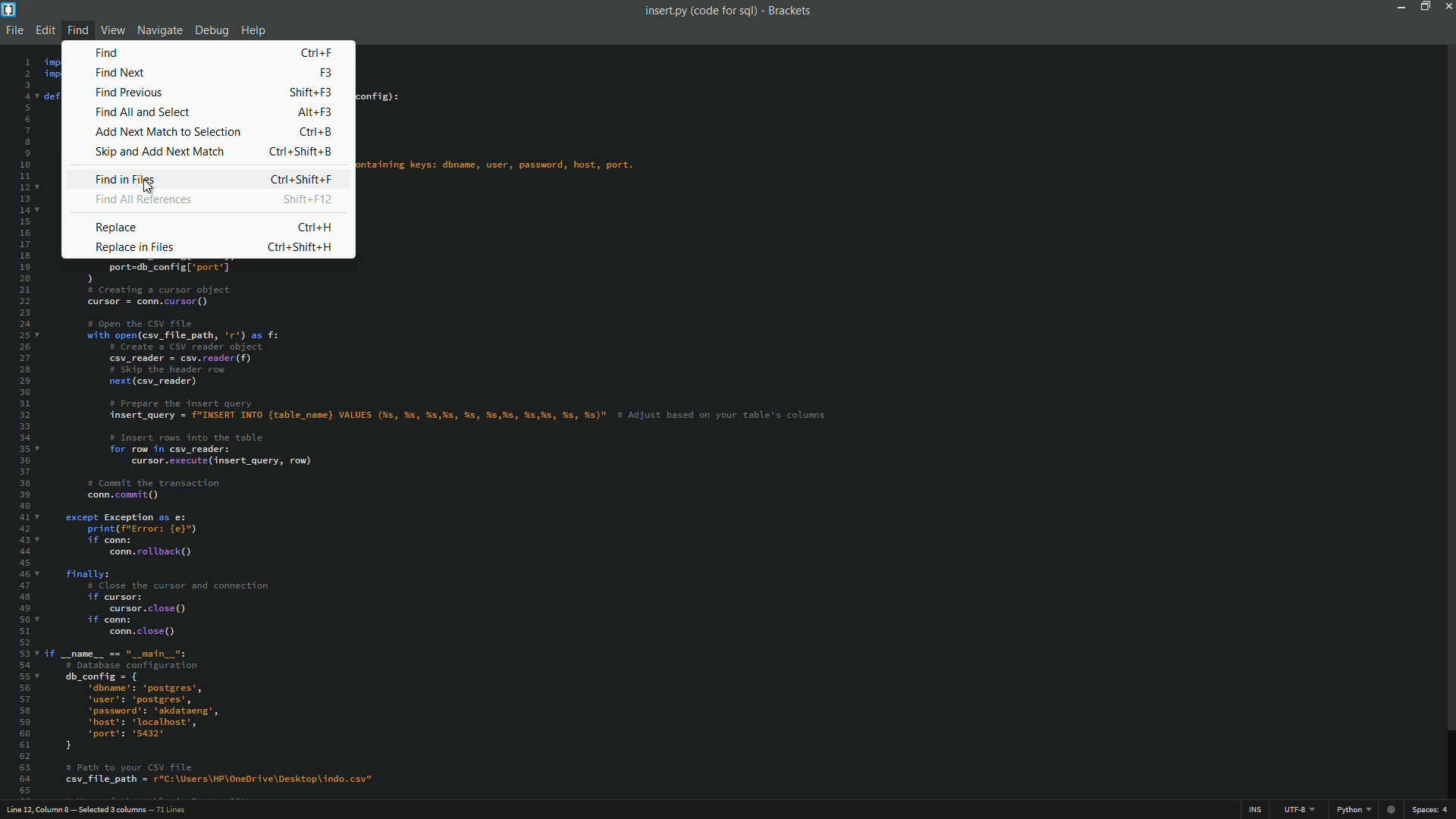 The height and width of the screenshot is (819, 1456). I want to click on file in files, so click(127, 181).